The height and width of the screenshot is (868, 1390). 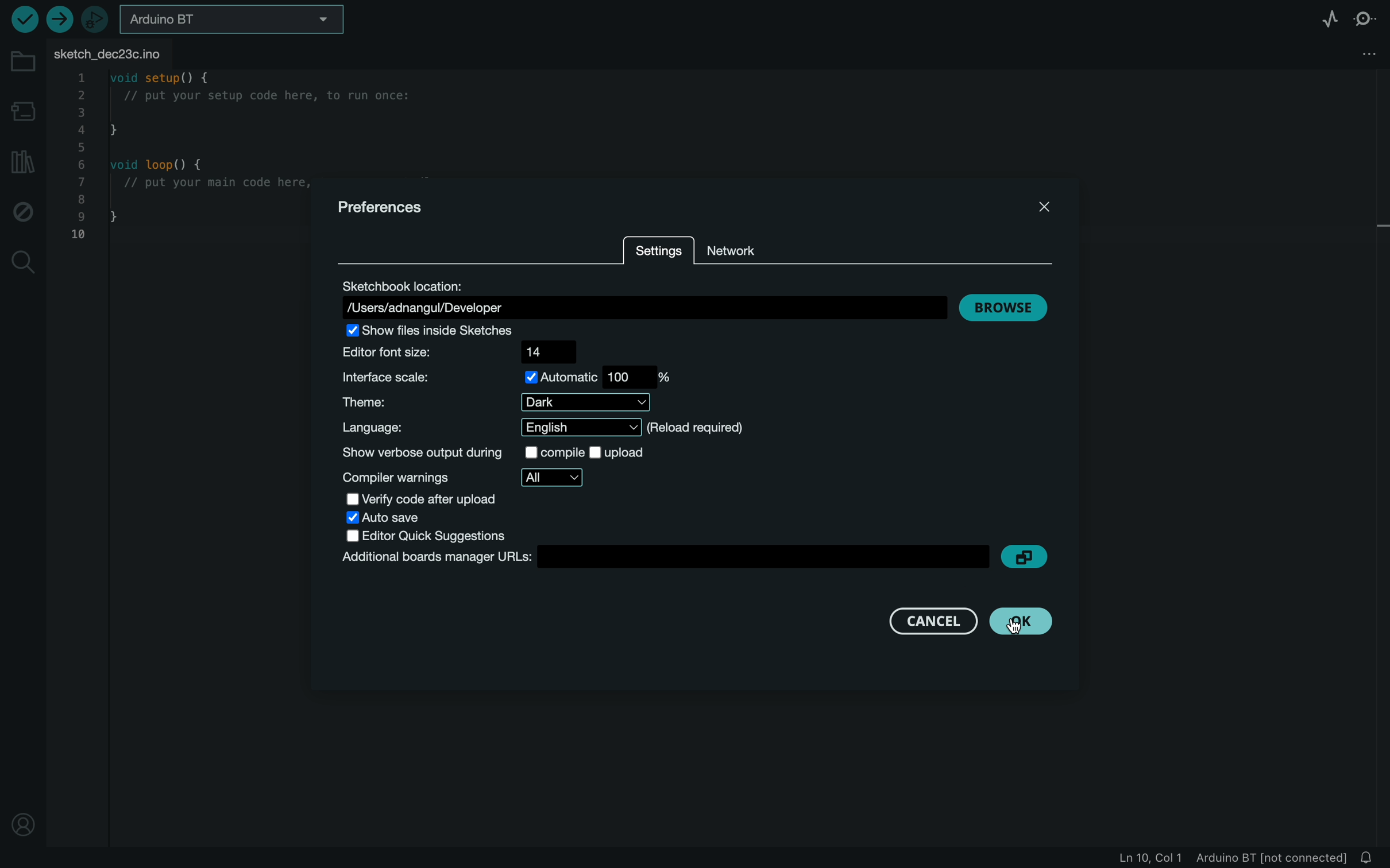 I want to click on language, so click(x=549, y=428).